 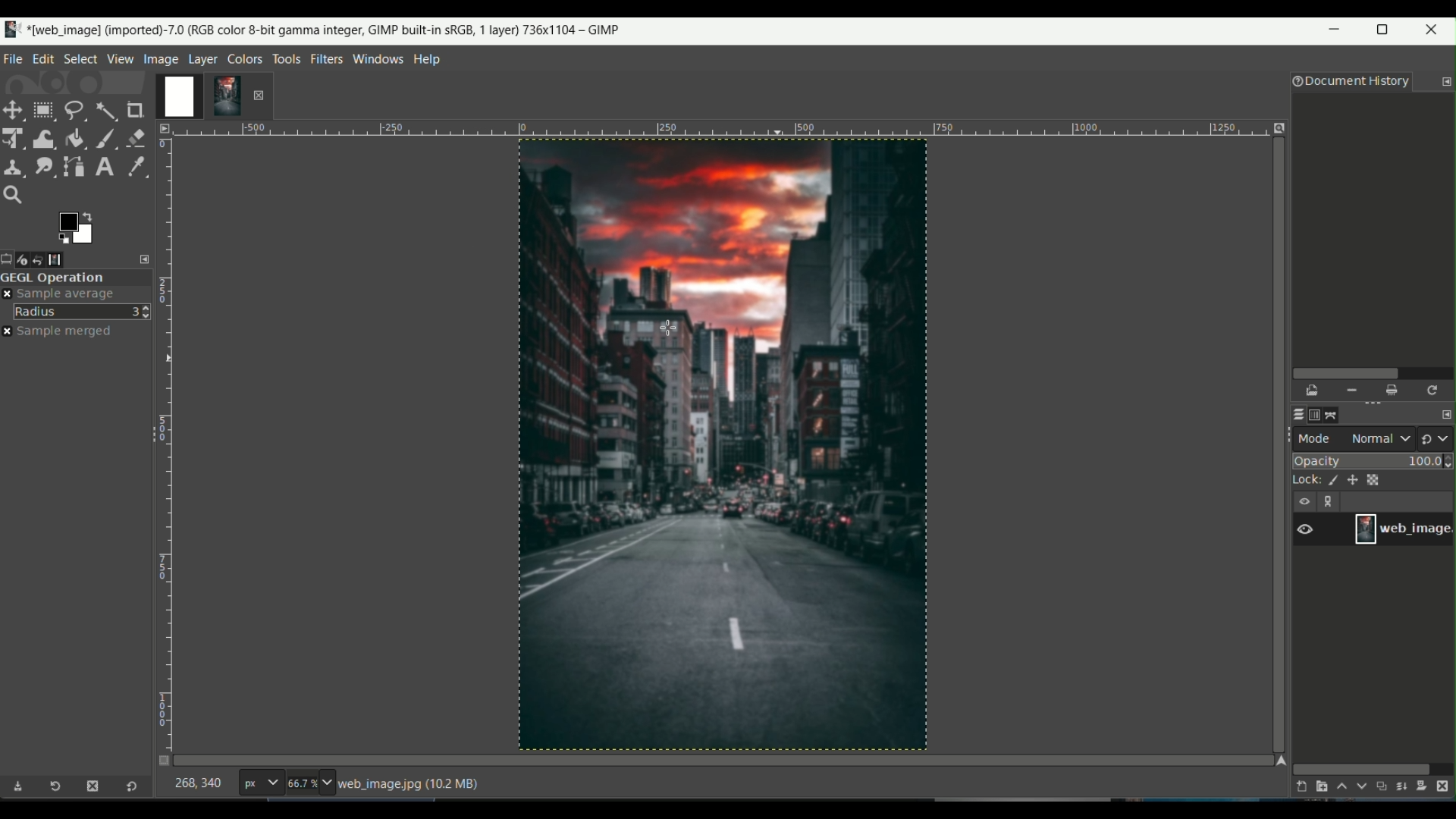 What do you see at coordinates (137, 110) in the screenshot?
I see `crop tool` at bounding box center [137, 110].